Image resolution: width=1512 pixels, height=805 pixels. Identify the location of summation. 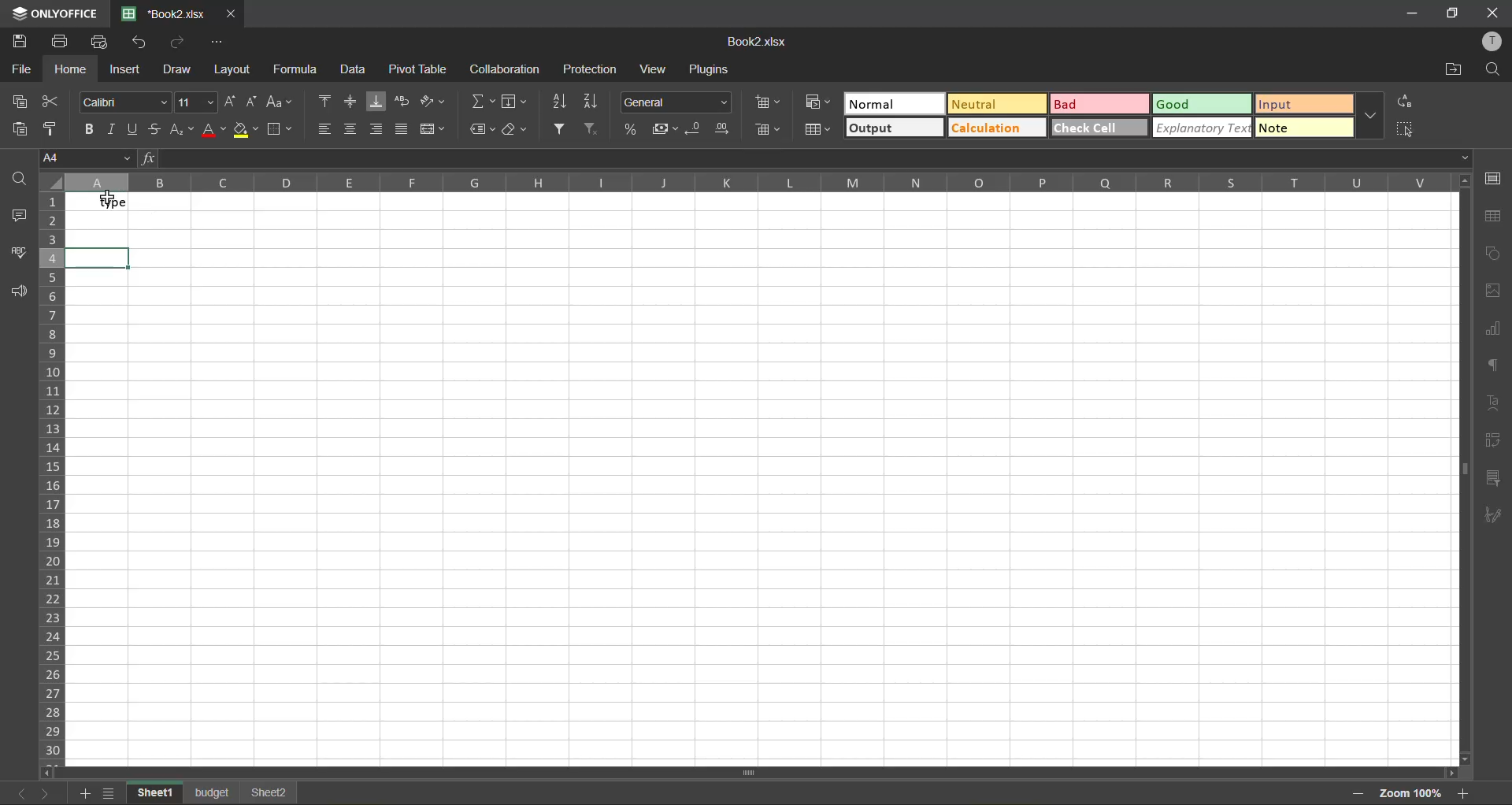
(483, 100).